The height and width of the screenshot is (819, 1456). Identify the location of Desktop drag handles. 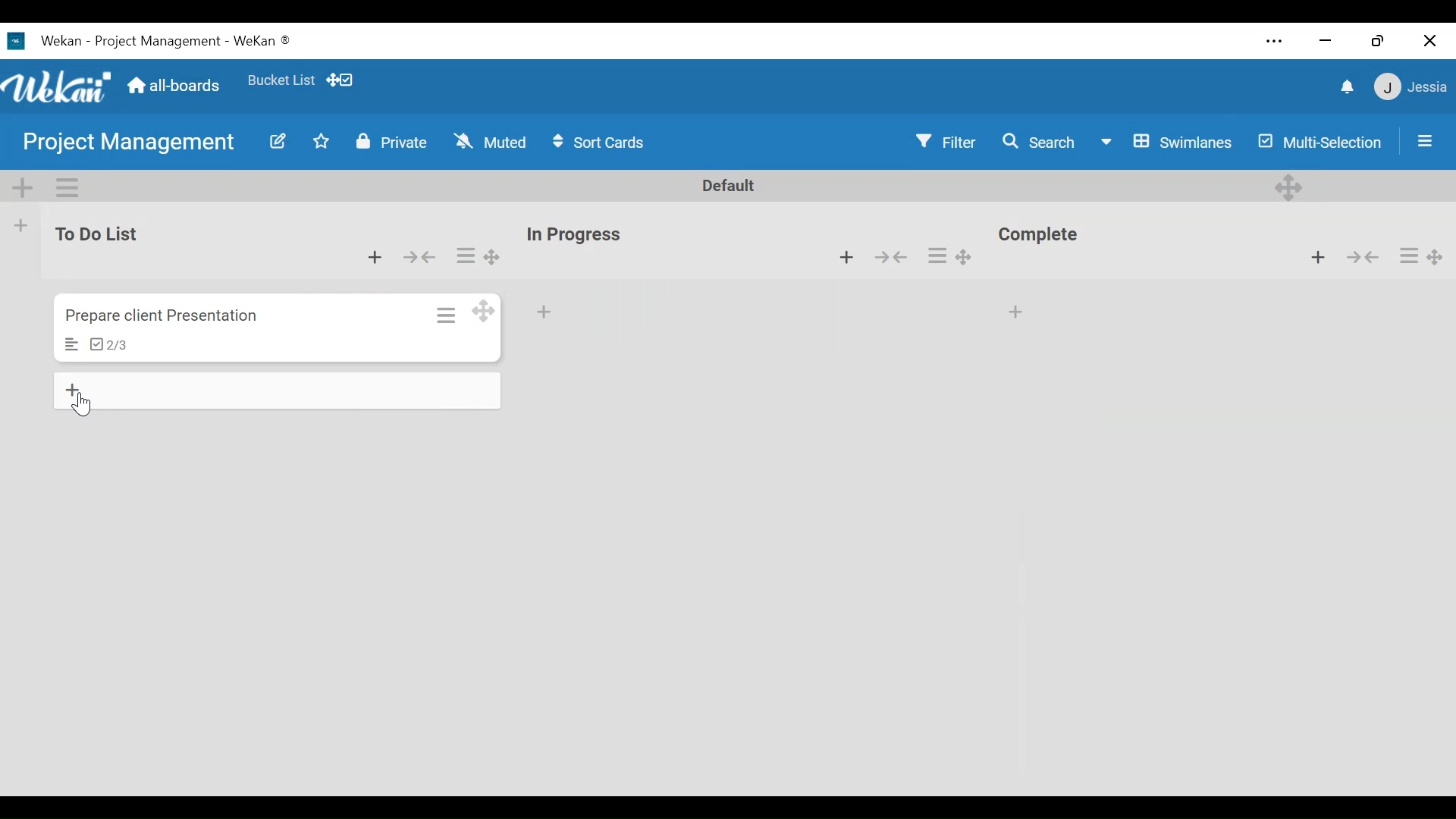
(1291, 186).